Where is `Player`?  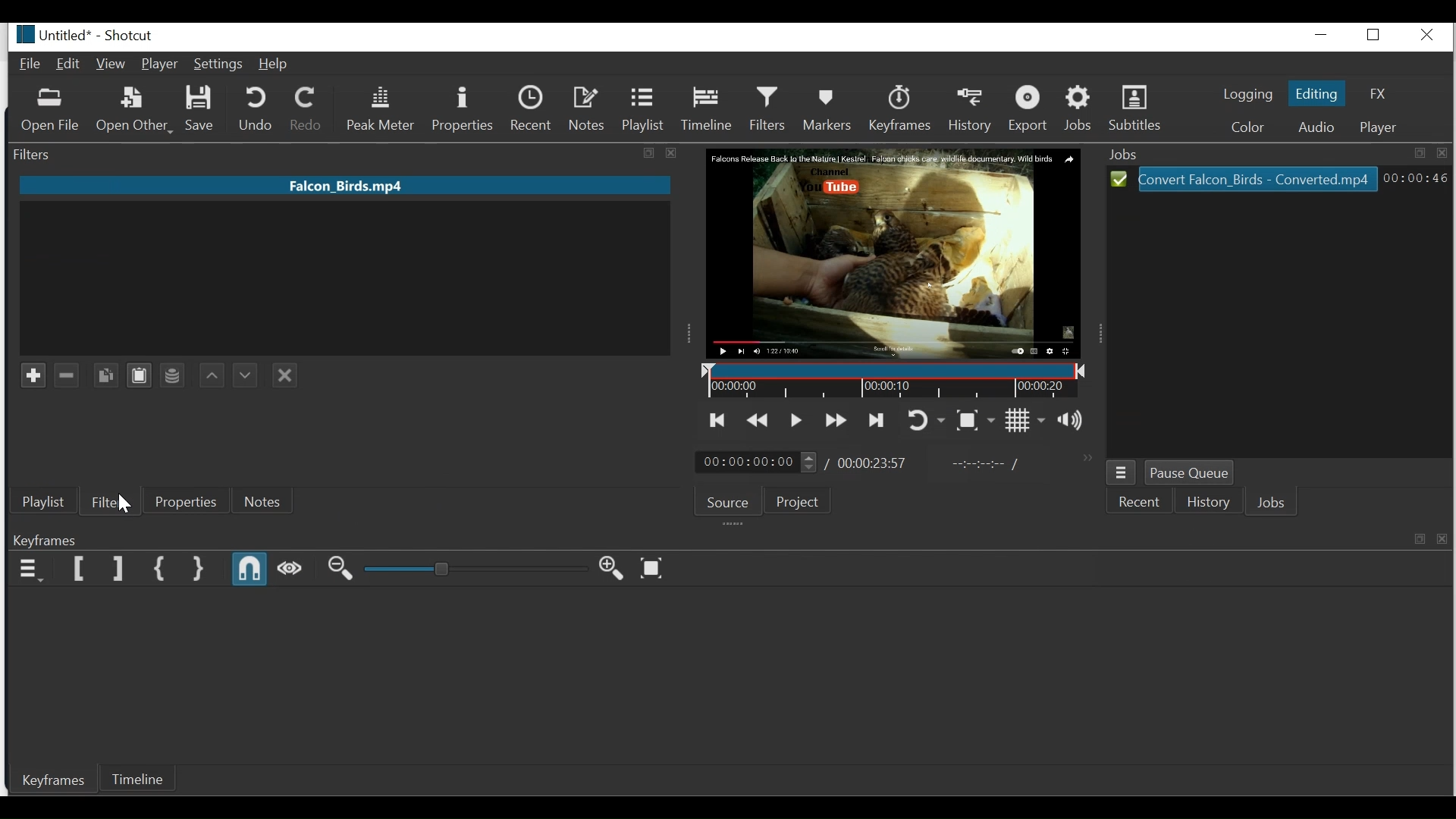
Player is located at coordinates (1382, 127).